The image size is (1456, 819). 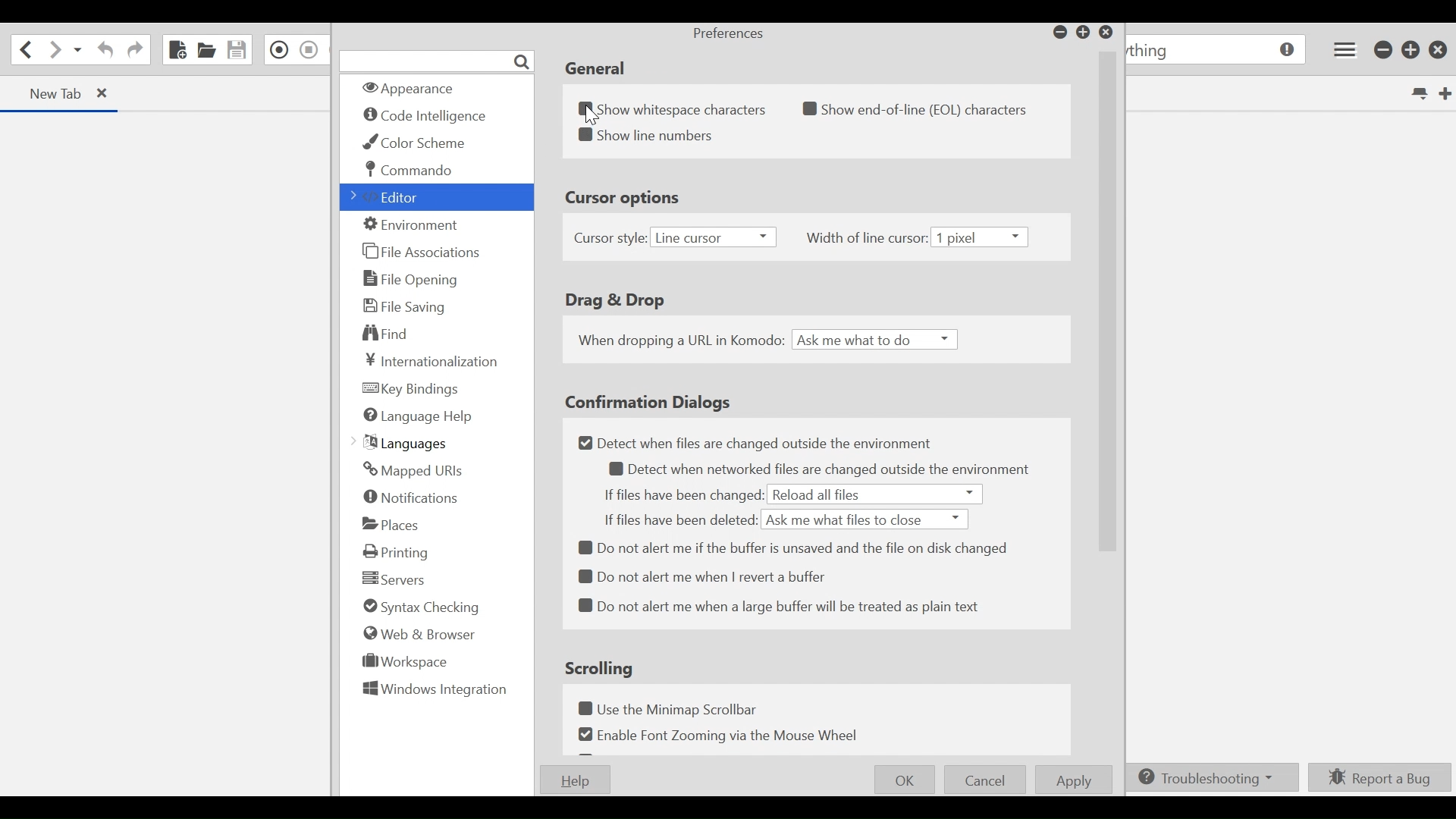 I want to click on Troubleshooting, so click(x=1210, y=779).